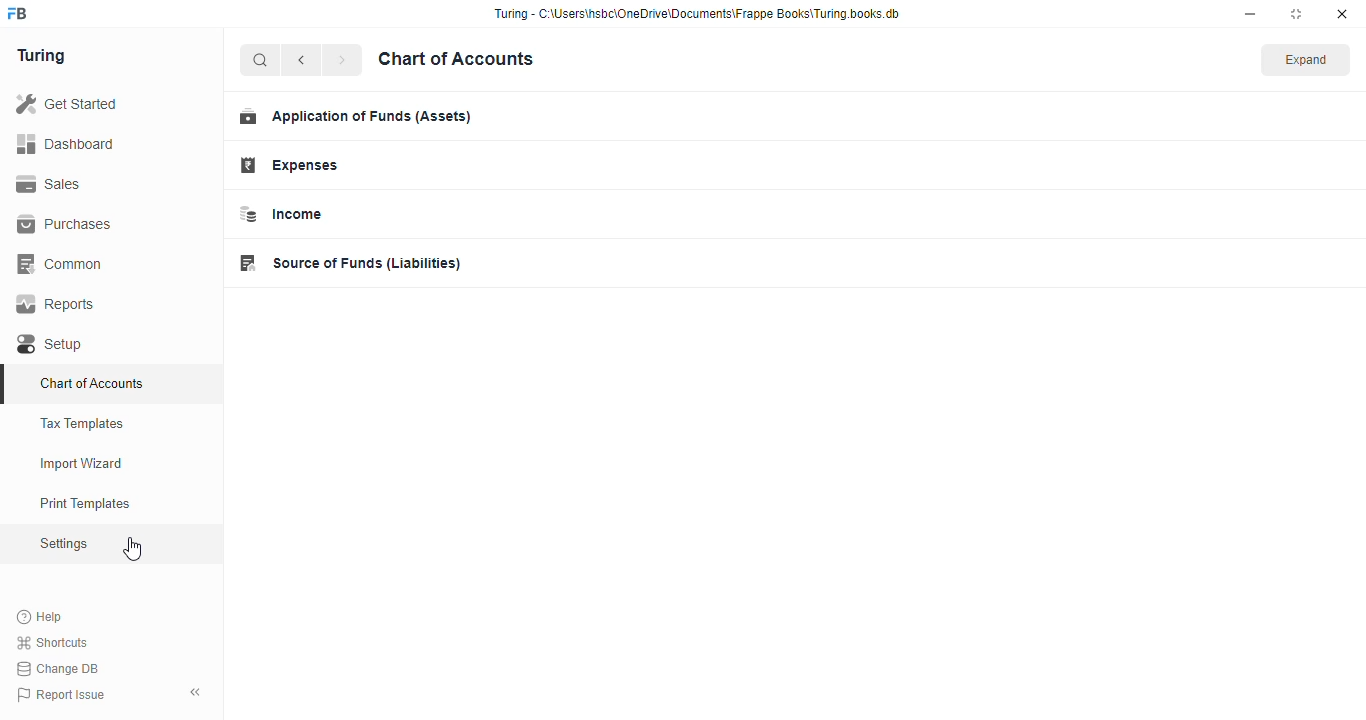 The image size is (1366, 720). What do you see at coordinates (52, 184) in the screenshot?
I see `sales` at bounding box center [52, 184].